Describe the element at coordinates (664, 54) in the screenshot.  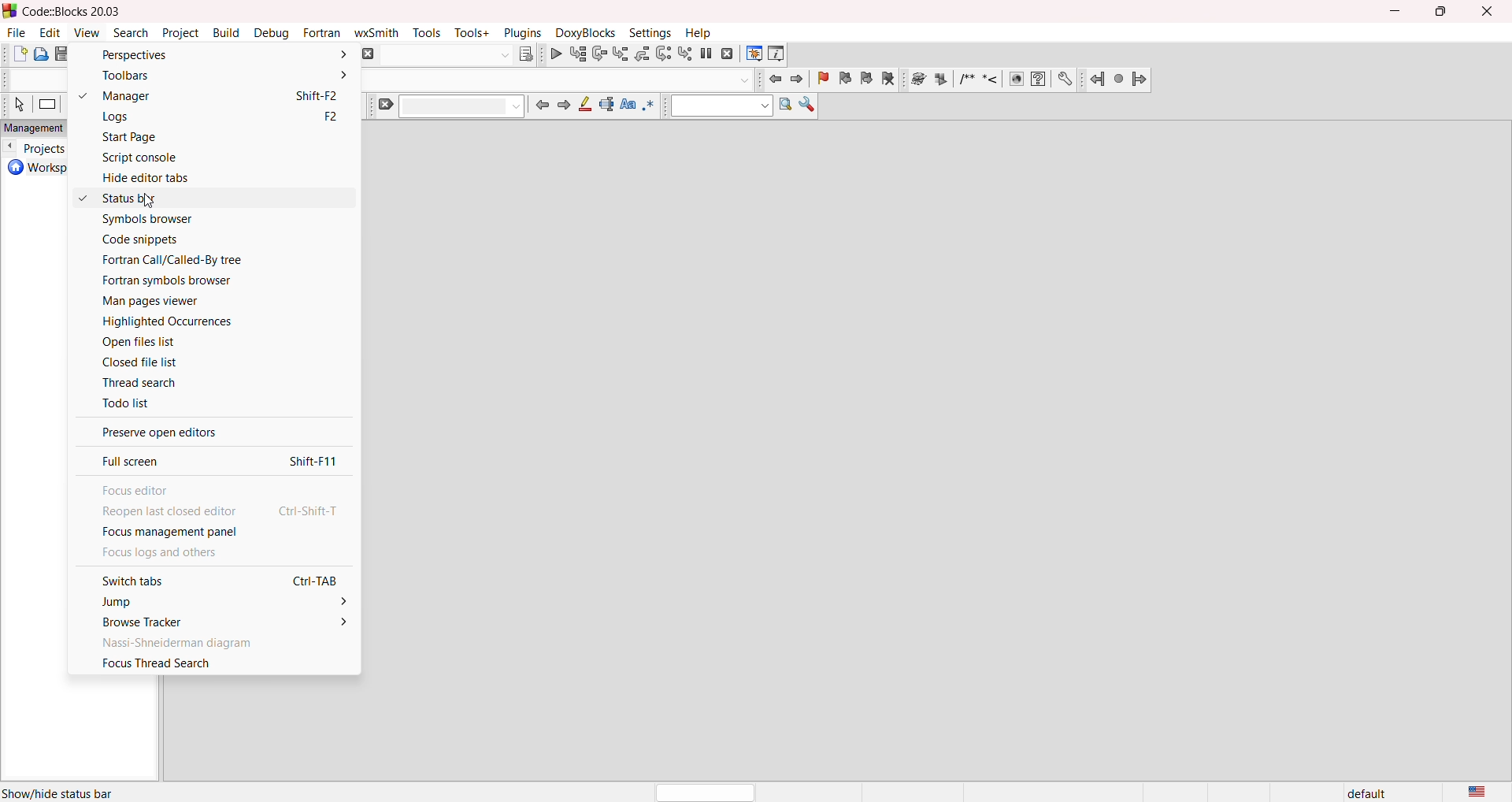
I see `next instruction` at that location.